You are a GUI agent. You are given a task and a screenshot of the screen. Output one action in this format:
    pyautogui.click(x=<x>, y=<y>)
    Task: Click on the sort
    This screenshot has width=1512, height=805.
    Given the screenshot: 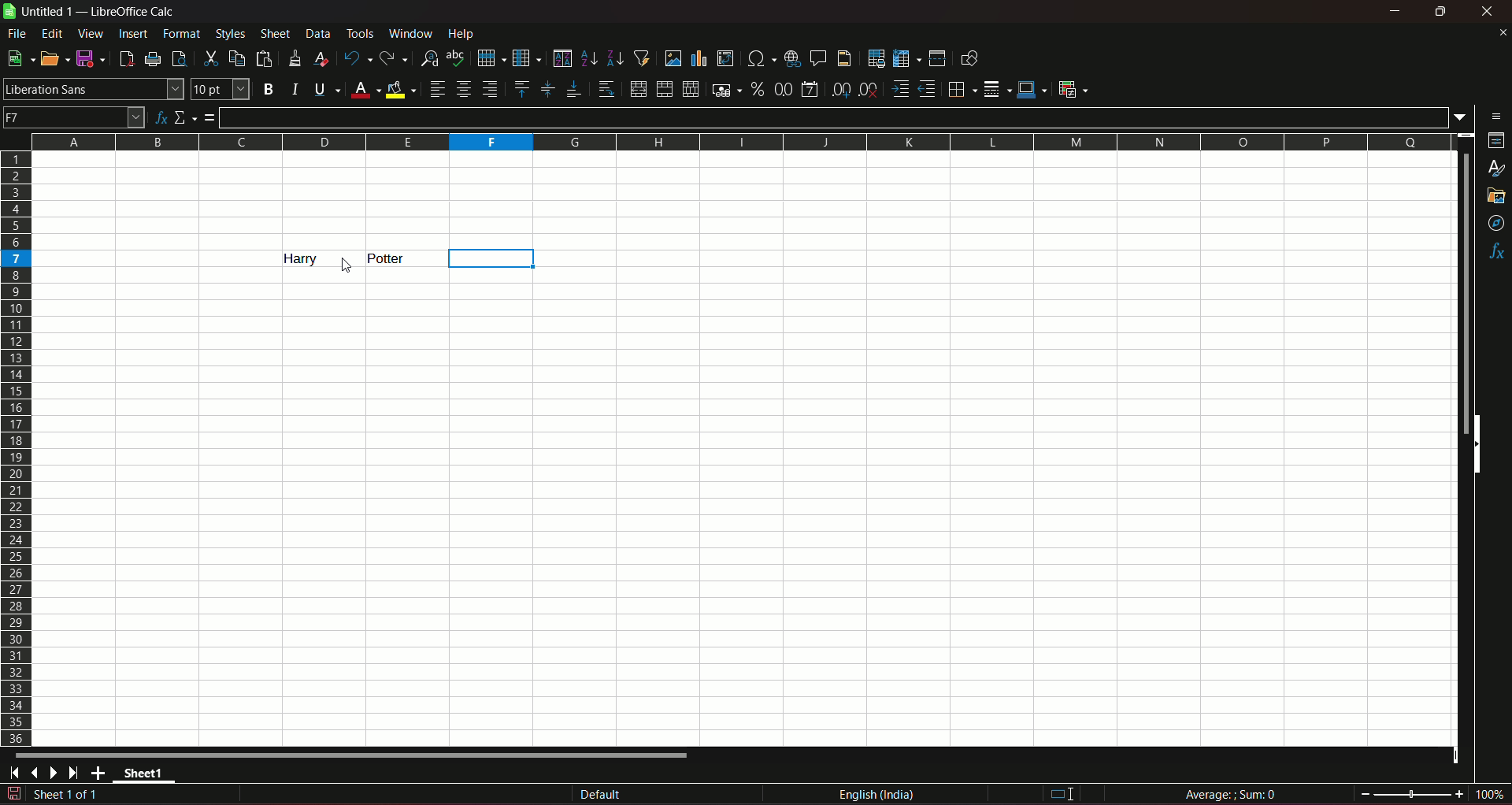 What is the action you would take?
    pyautogui.click(x=561, y=58)
    